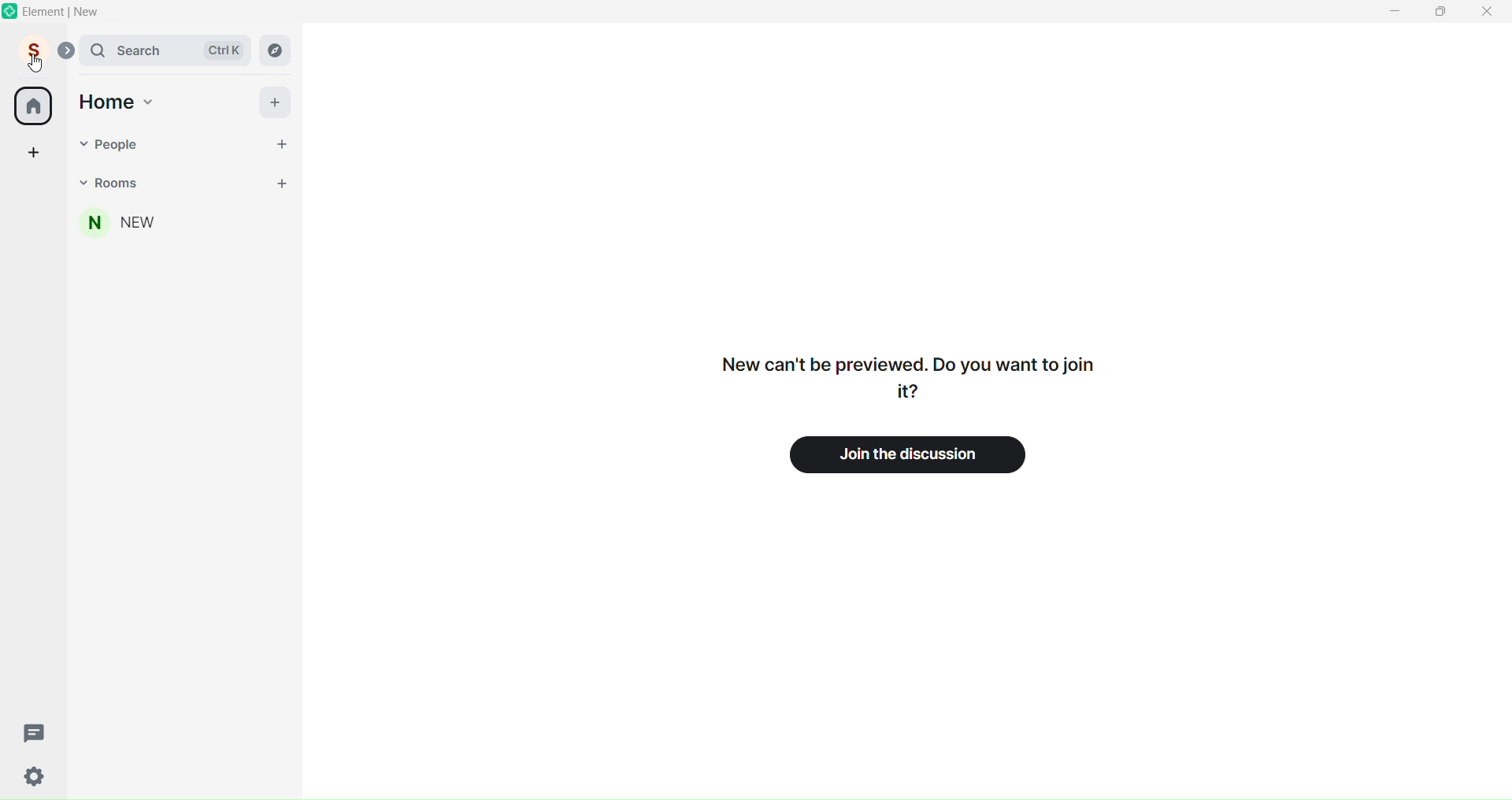  Describe the element at coordinates (282, 183) in the screenshot. I see `Add room` at that location.